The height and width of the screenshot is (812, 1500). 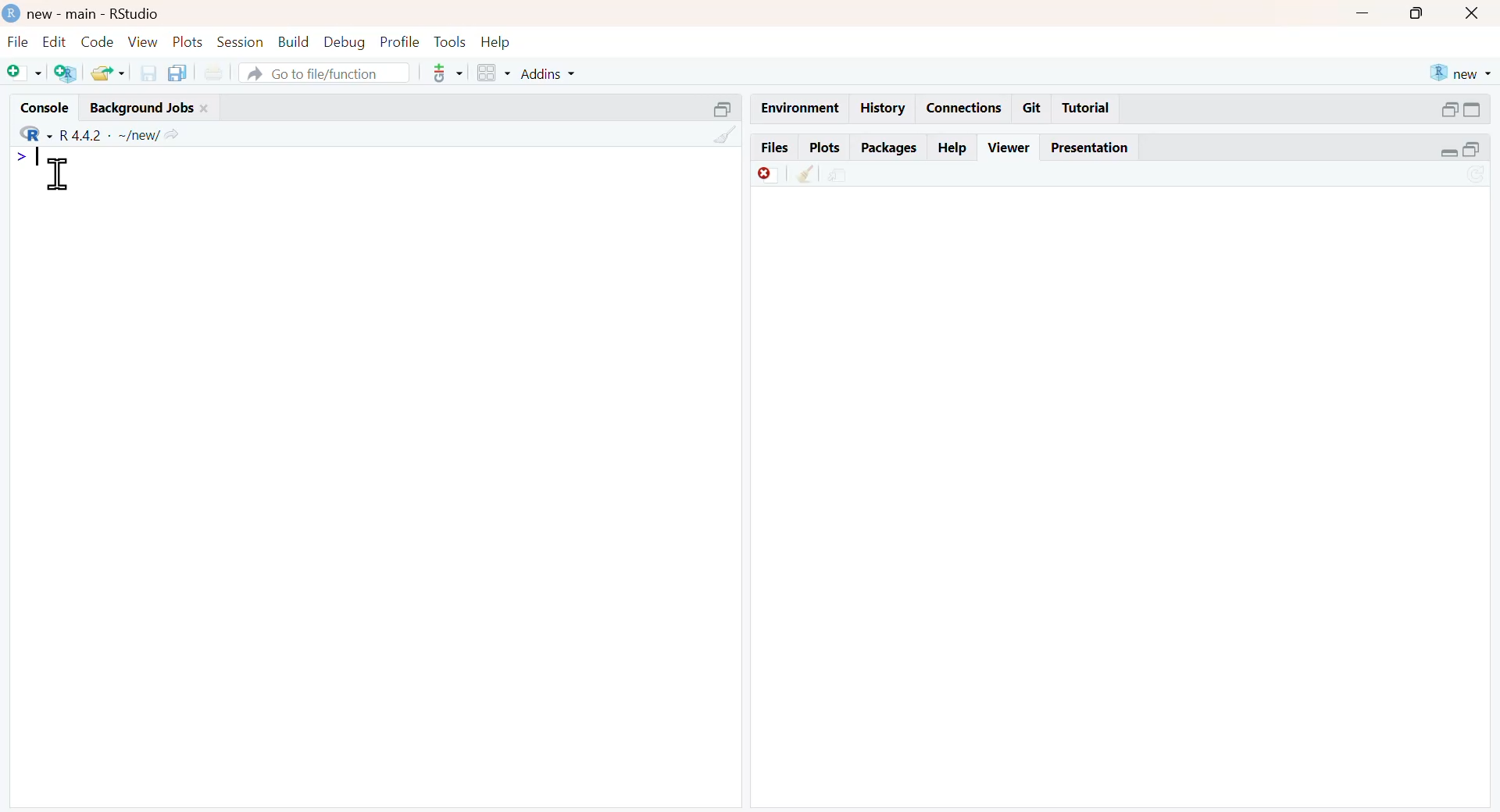 What do you see at coordinates (59, 173) in the screenshot?
I see `cursor` at bounding box center [59, 173].